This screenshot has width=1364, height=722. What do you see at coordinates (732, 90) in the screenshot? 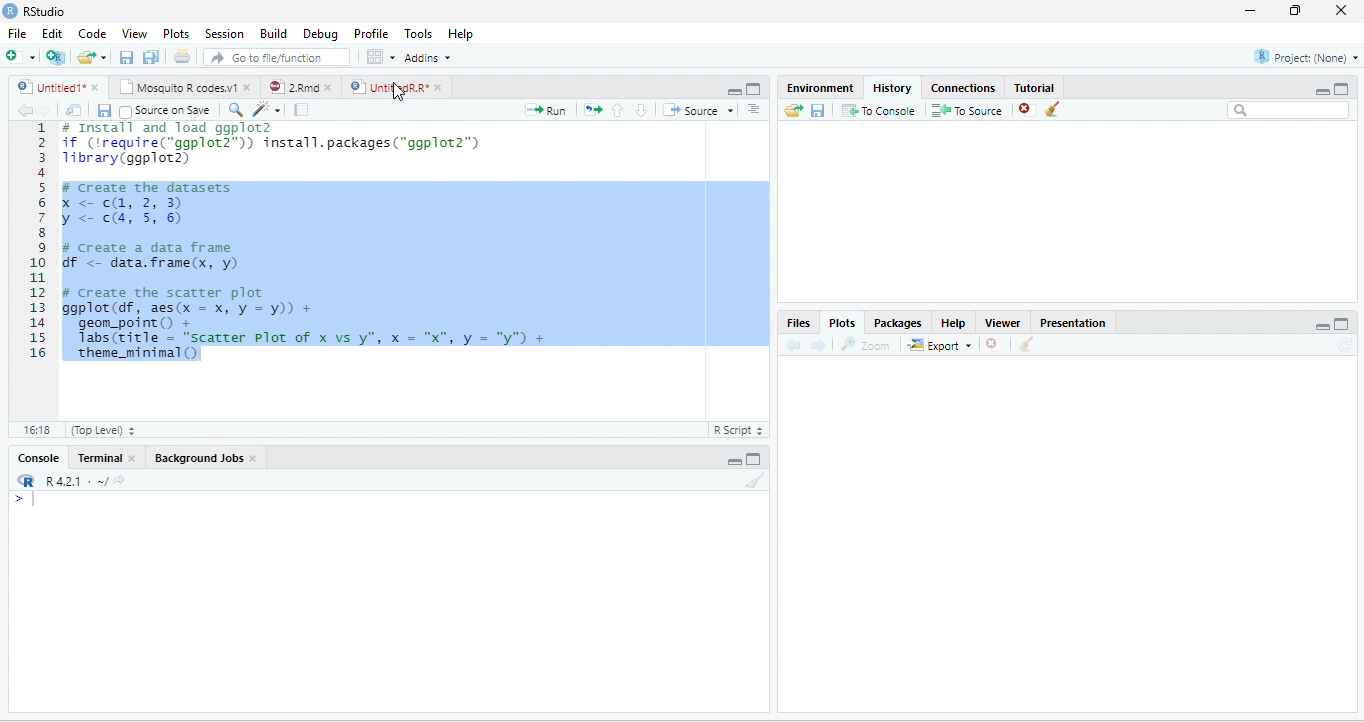
I see `Minimize` at bounding box center [732, 90].